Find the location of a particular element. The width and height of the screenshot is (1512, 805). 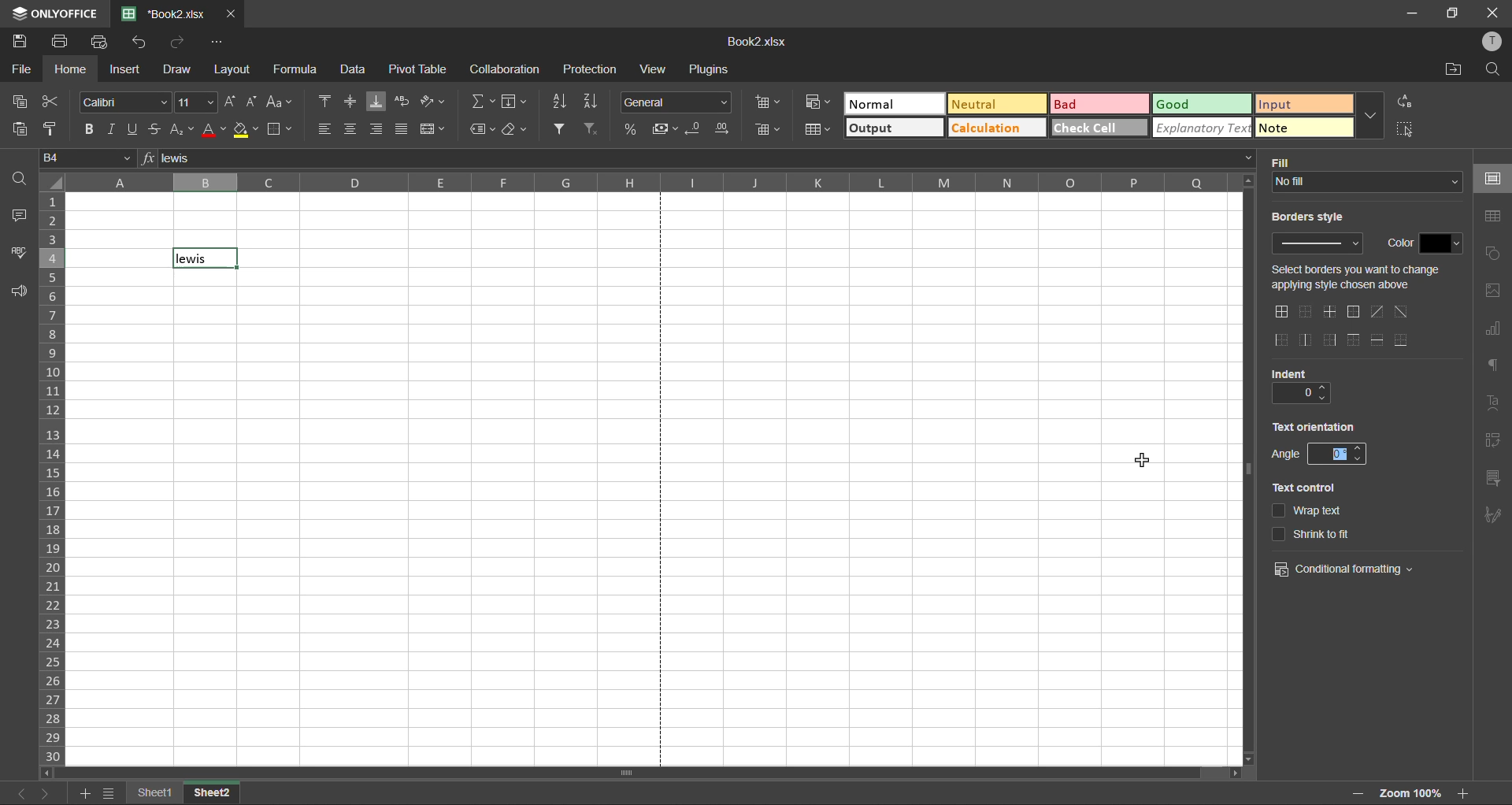

fill color is located at coordinates (246, 132).